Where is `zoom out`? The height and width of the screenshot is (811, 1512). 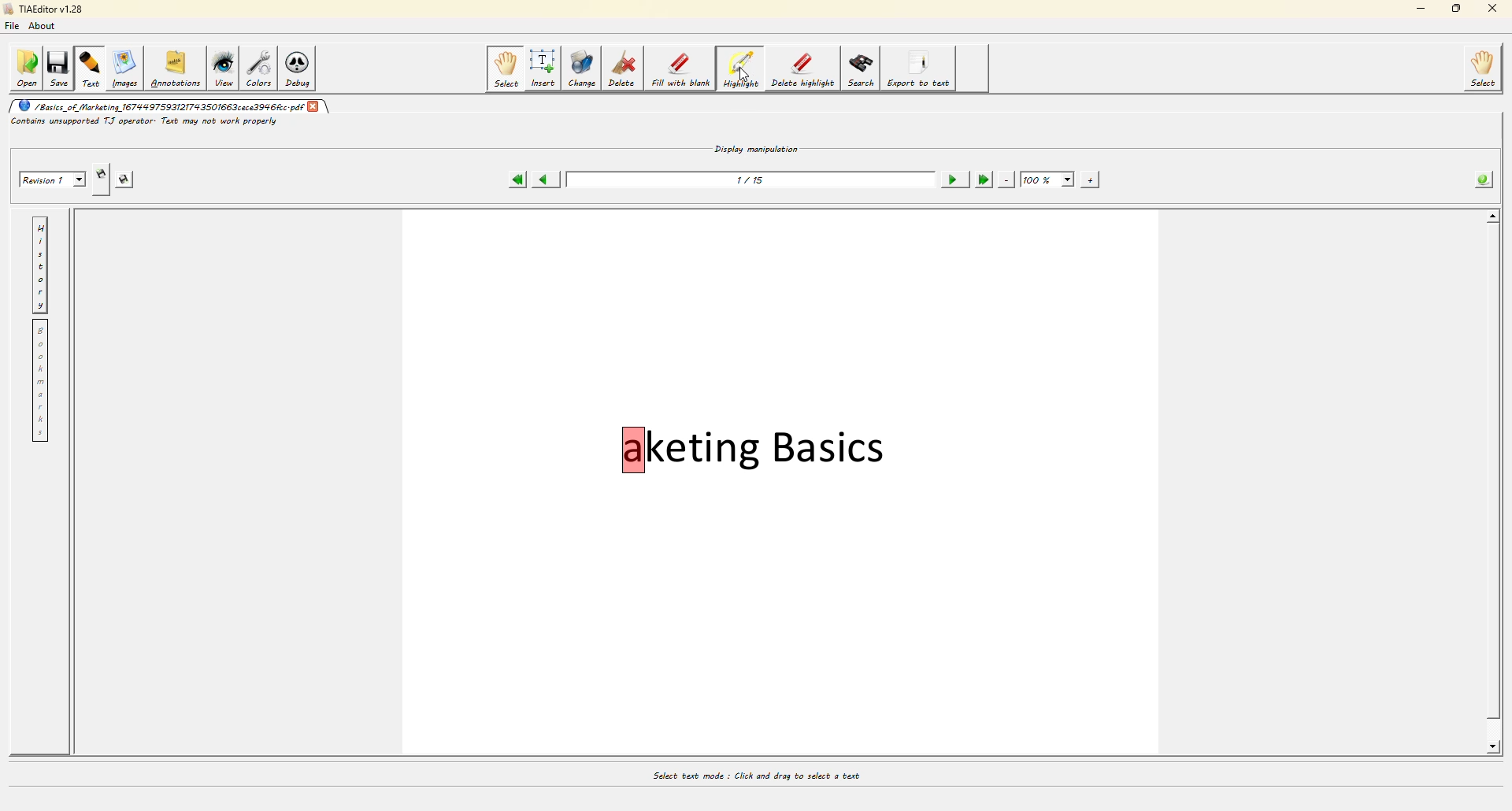 zoom out is located at coordinates (1003, 180).